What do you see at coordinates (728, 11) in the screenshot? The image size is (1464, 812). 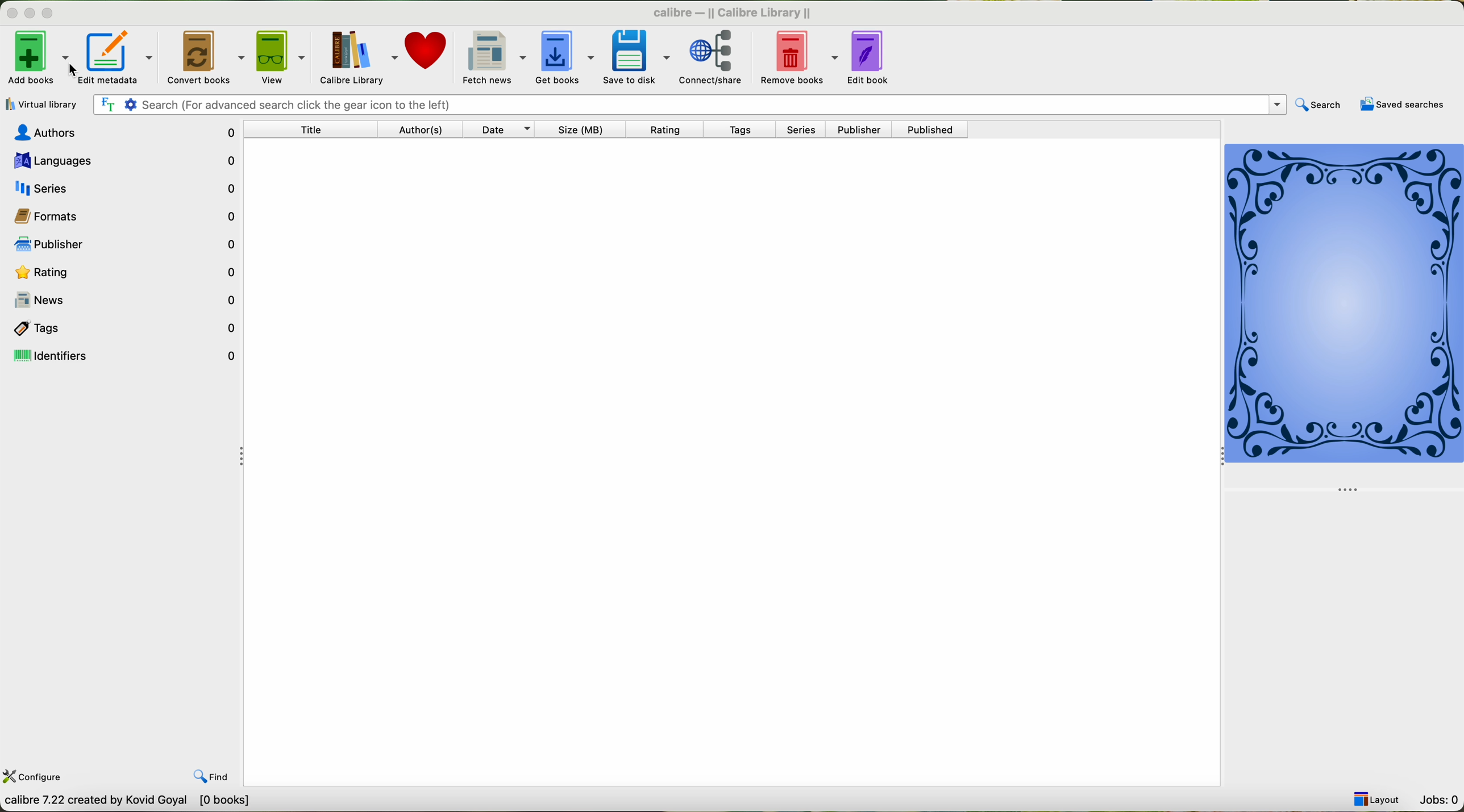 I see `calibre-II Callibre Library II` at bounding box center [728, 11].